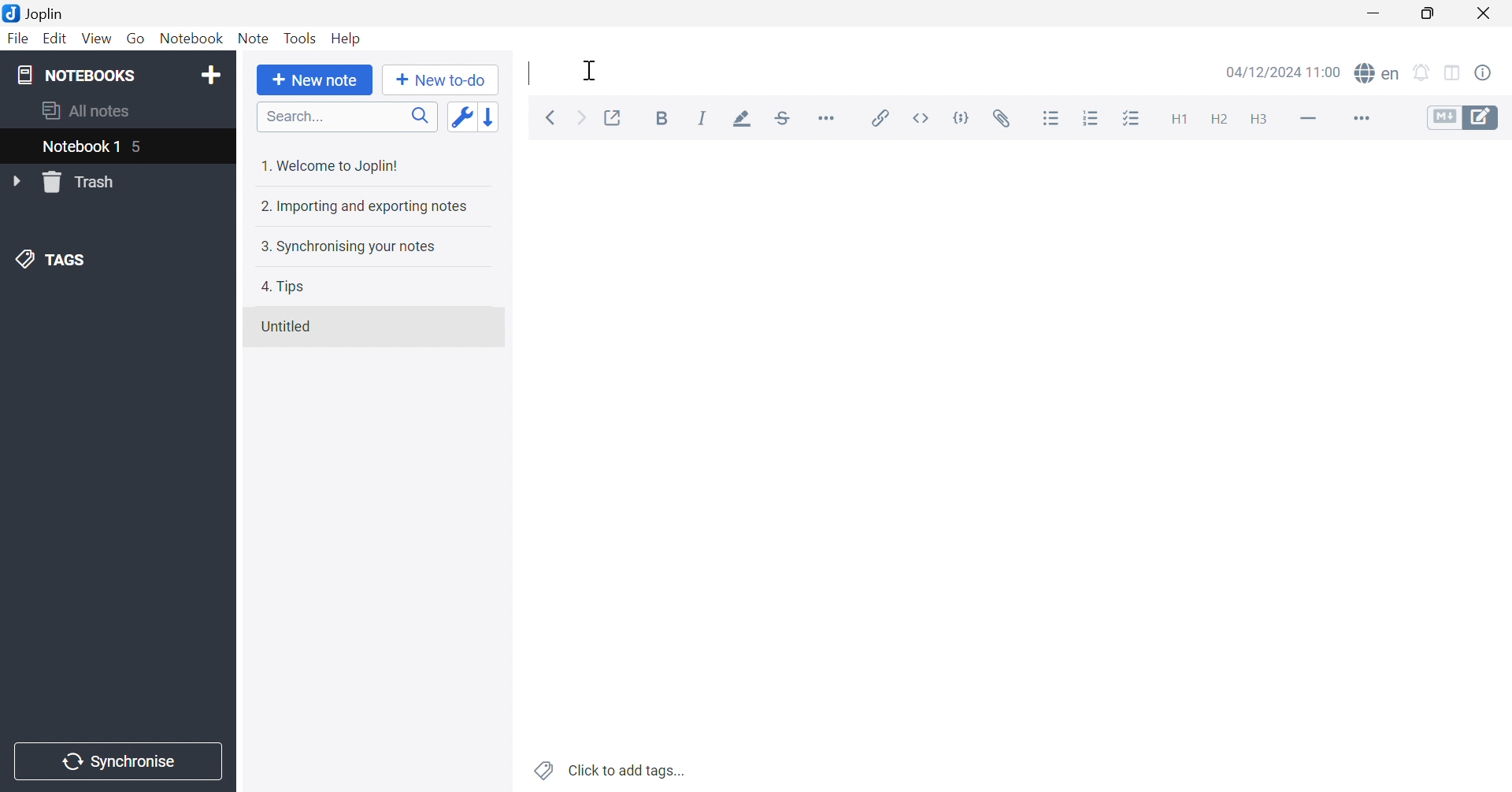 The width and height of the screenshot is (1512, 792). I want to click on Minimize, so click(1379, 13).